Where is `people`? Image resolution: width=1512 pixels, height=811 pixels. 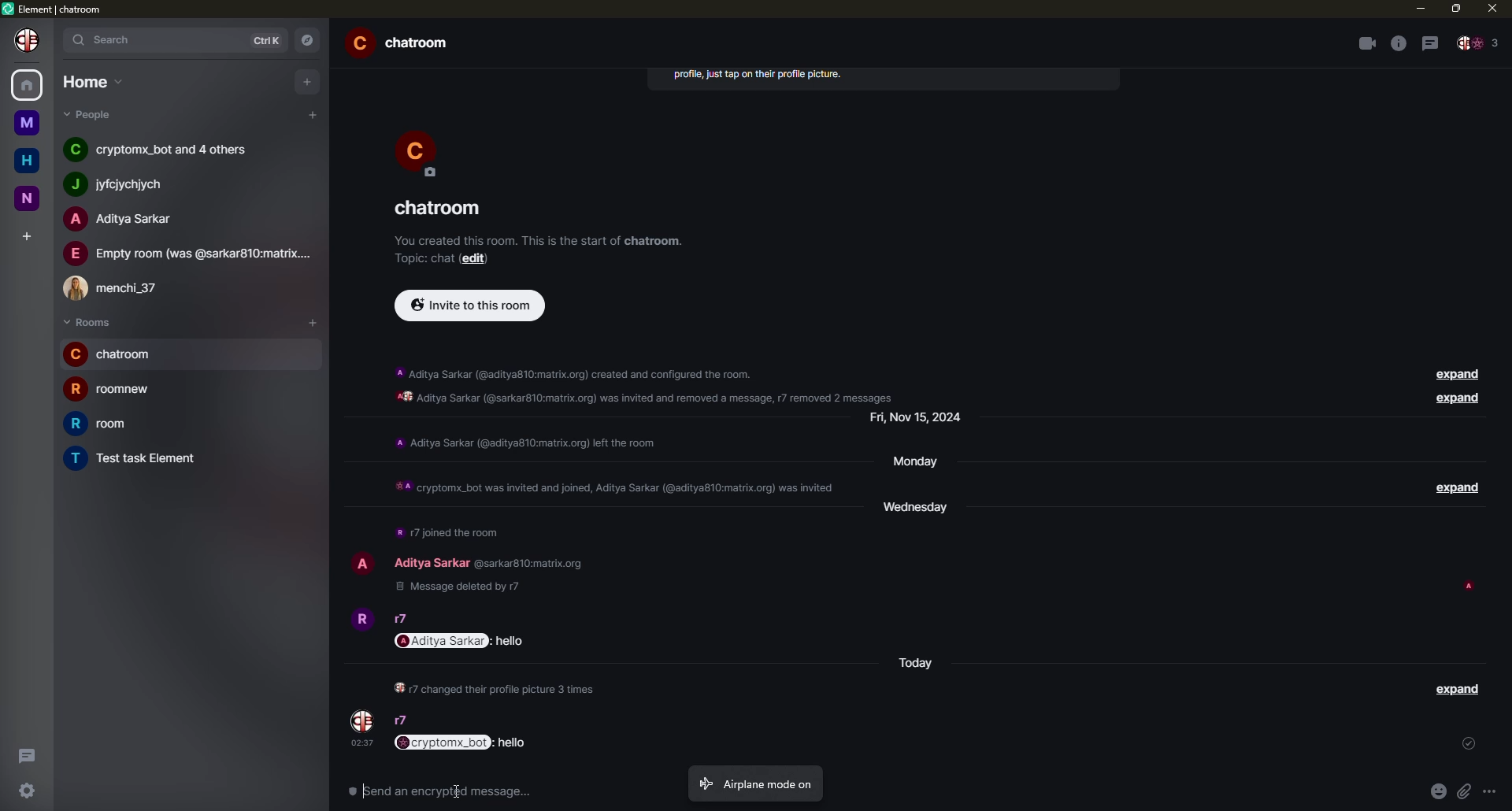
people is located at coordinates (435, 561).